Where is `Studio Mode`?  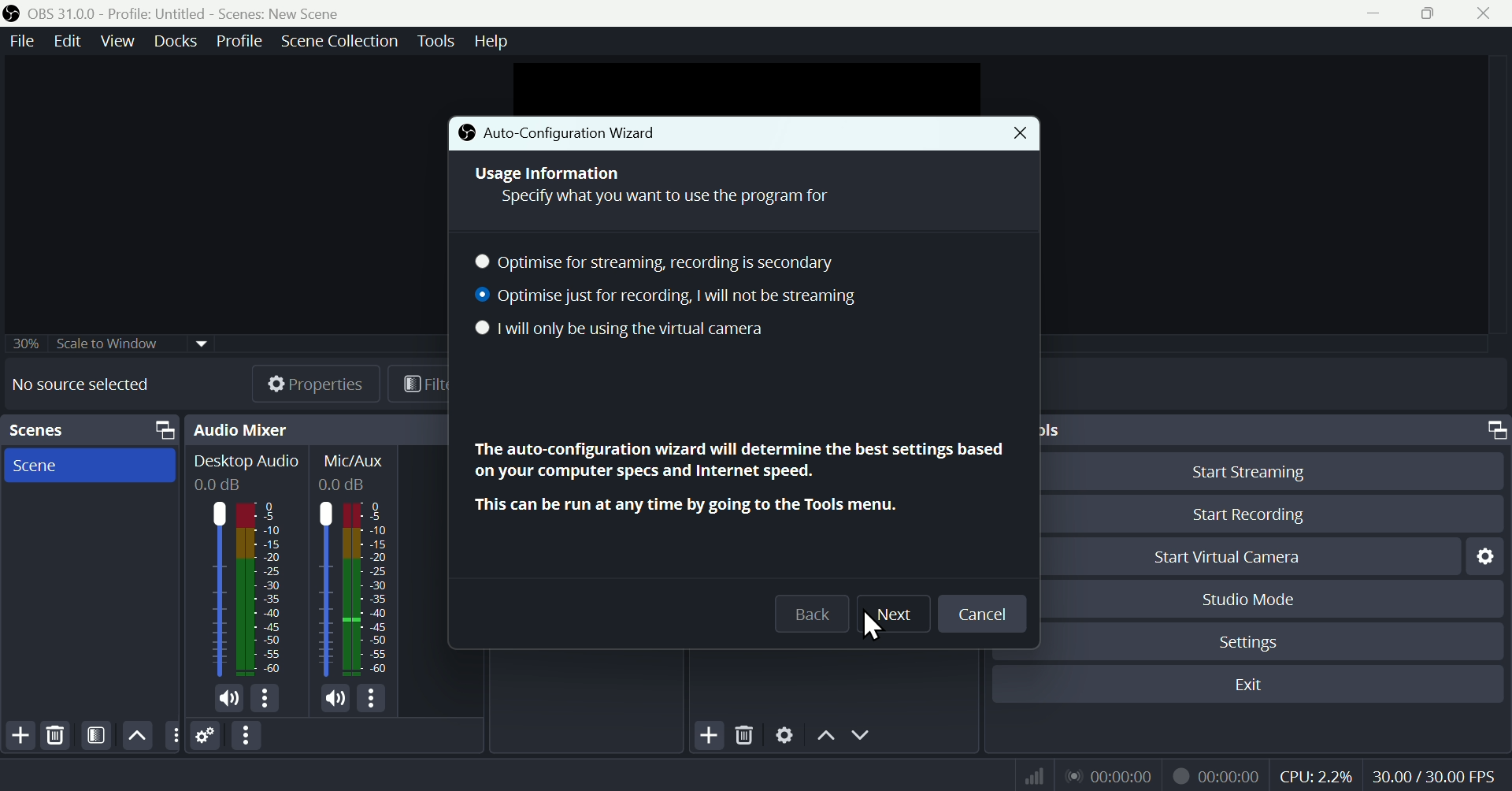 Studio Mode is located at coordinates (1275, 598).